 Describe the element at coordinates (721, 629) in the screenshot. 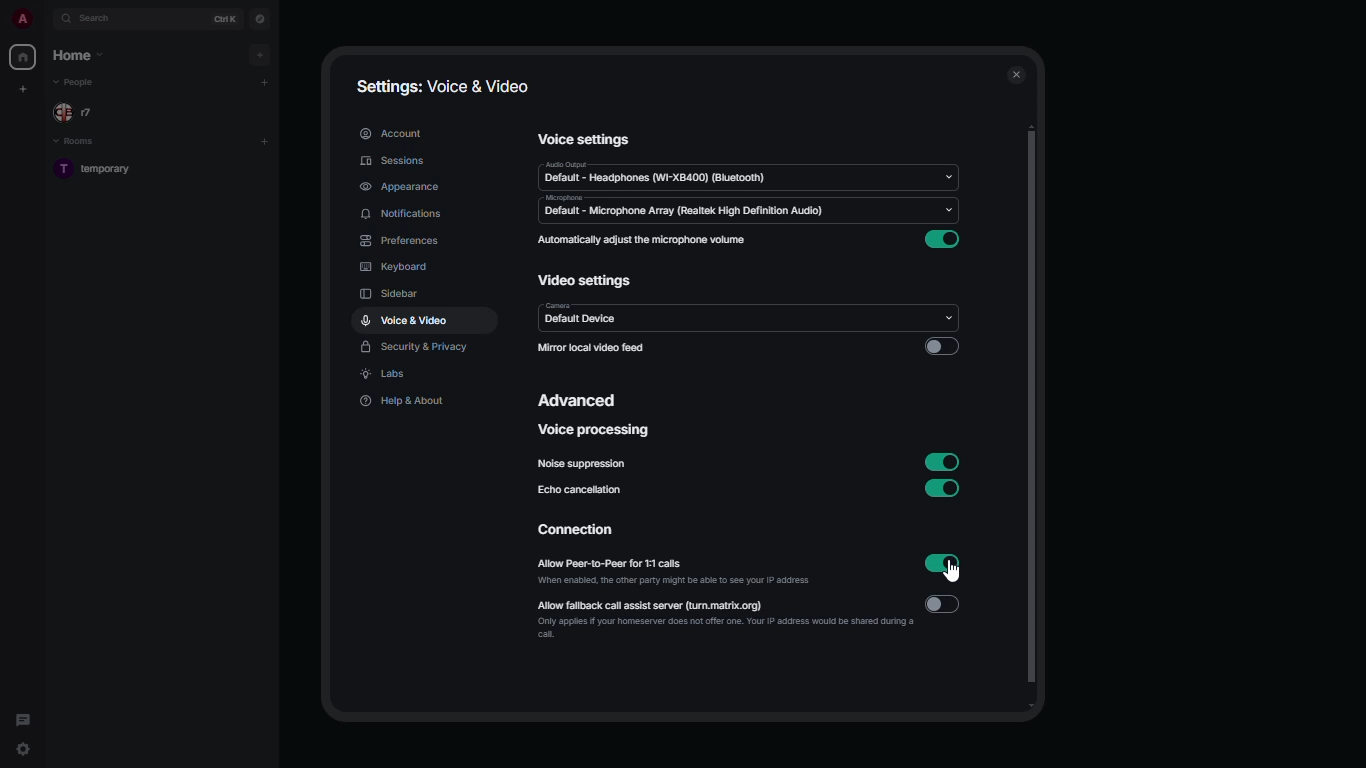

I see `(Oy applies § your homeserver Goes hot offer ane. Your II” address would De shred cam` at that location.